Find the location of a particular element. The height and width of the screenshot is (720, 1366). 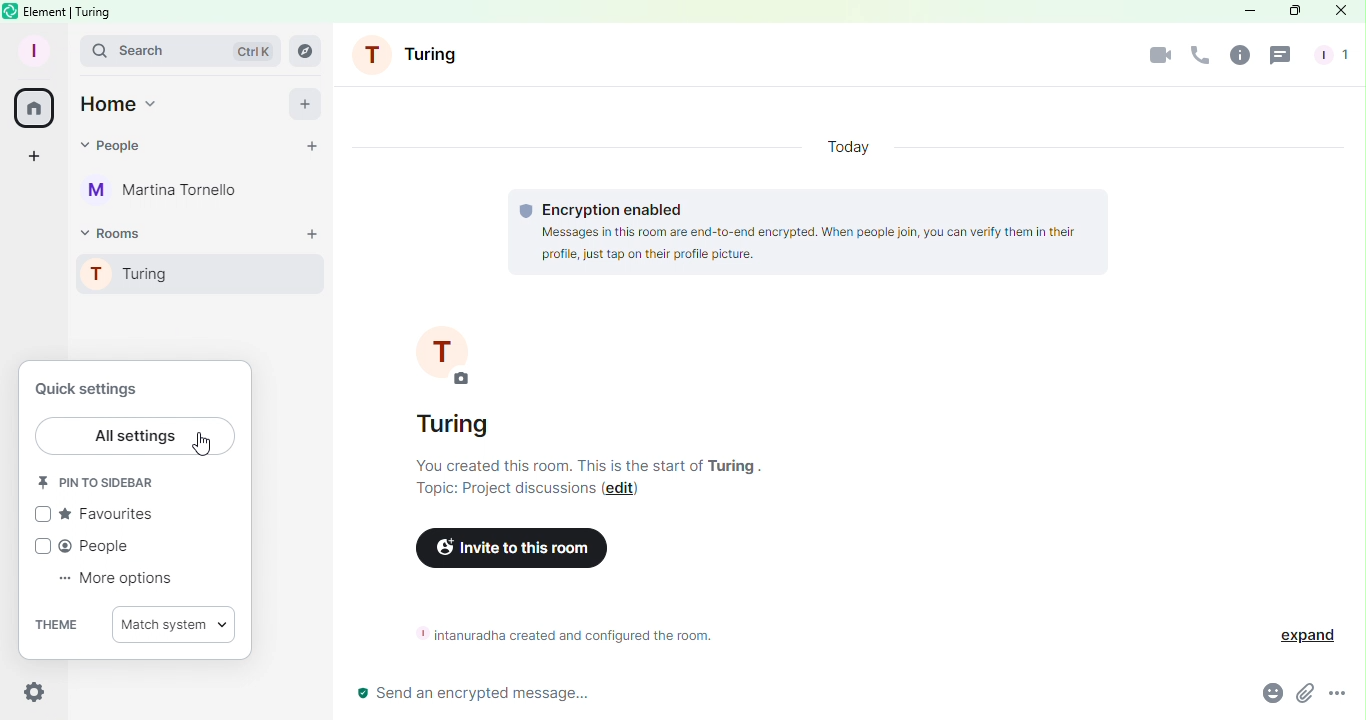

You created this room. This is the start of is located at coordinates (559, 465).